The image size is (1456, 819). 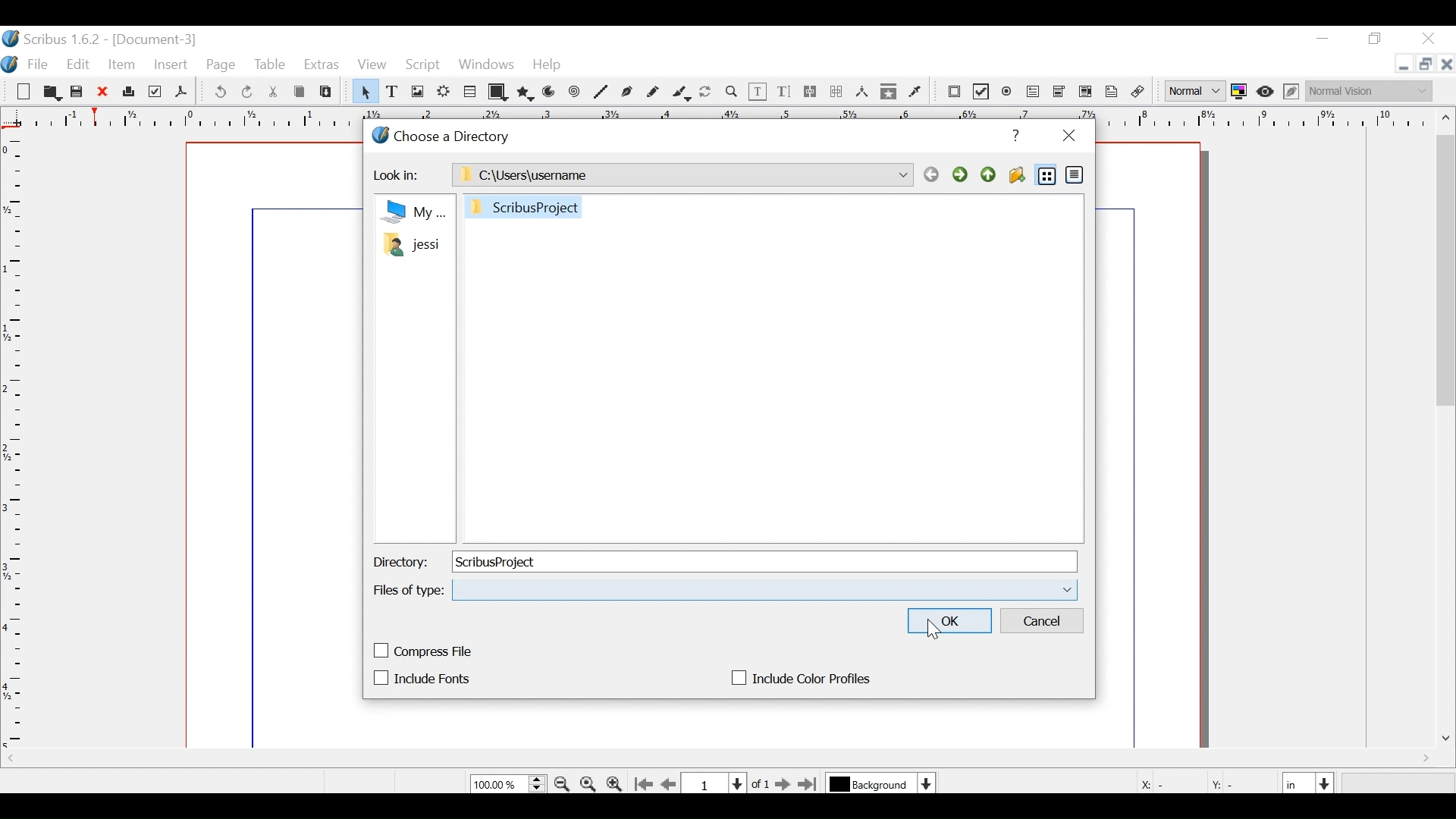 I want to click on PDF Text Field, so click(x=1034, y=93).